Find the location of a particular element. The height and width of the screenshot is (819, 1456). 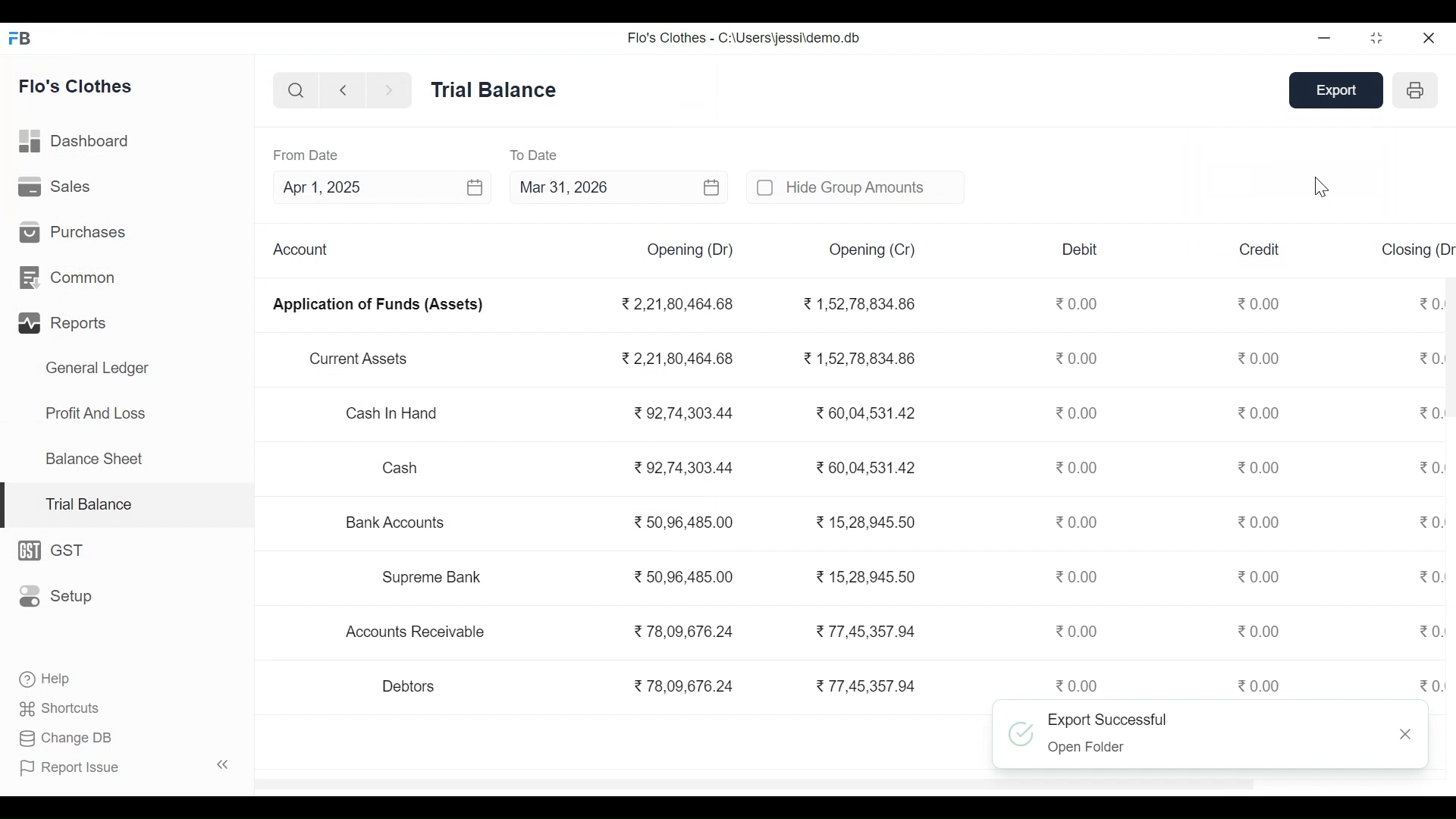

60,04,531.42 is located at coordinates (861, 411).